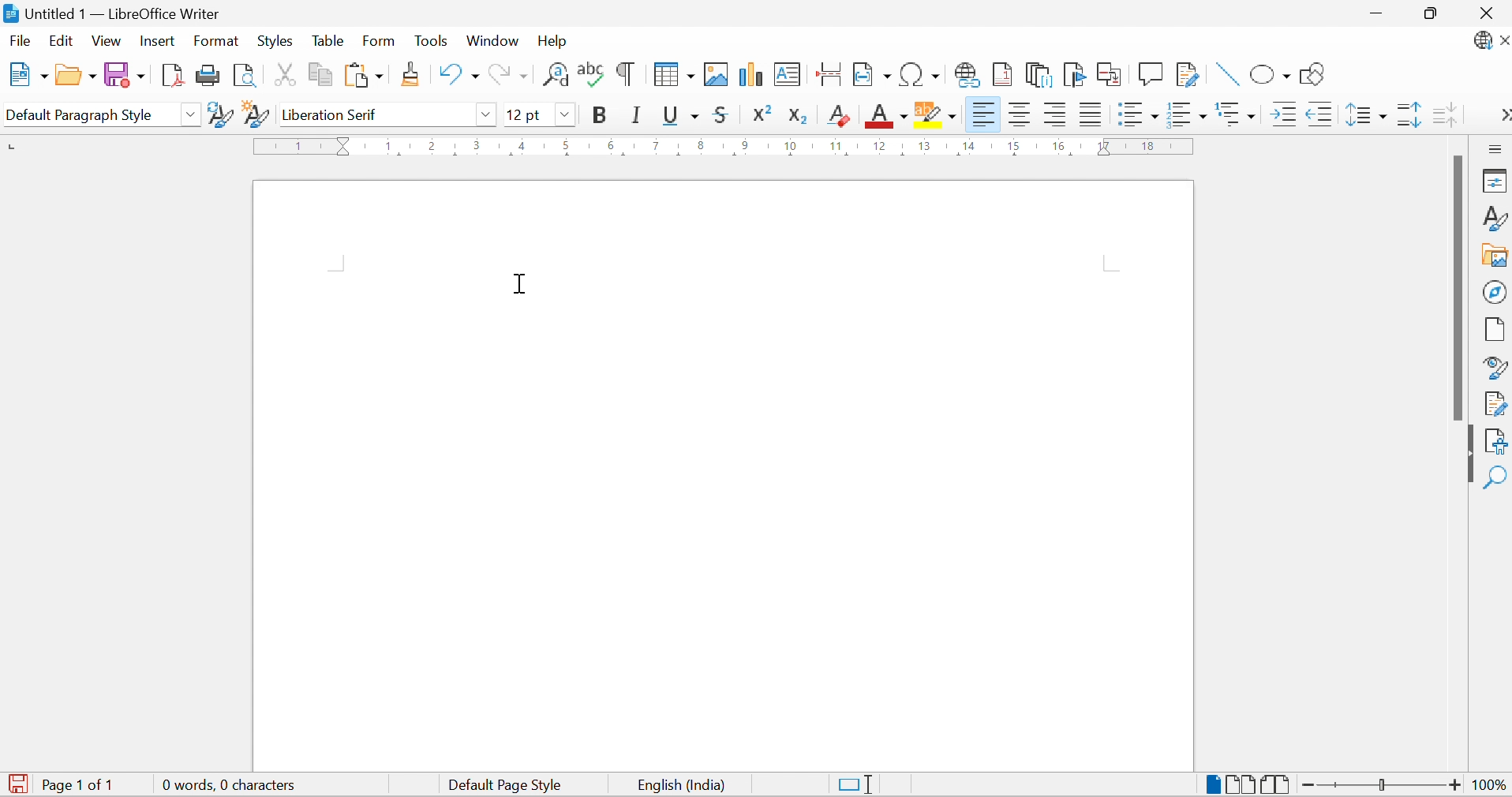 The width and height of the screenshot is (1512, 797). I want to click on Toggle Formatting Marks, so click(624, 75).